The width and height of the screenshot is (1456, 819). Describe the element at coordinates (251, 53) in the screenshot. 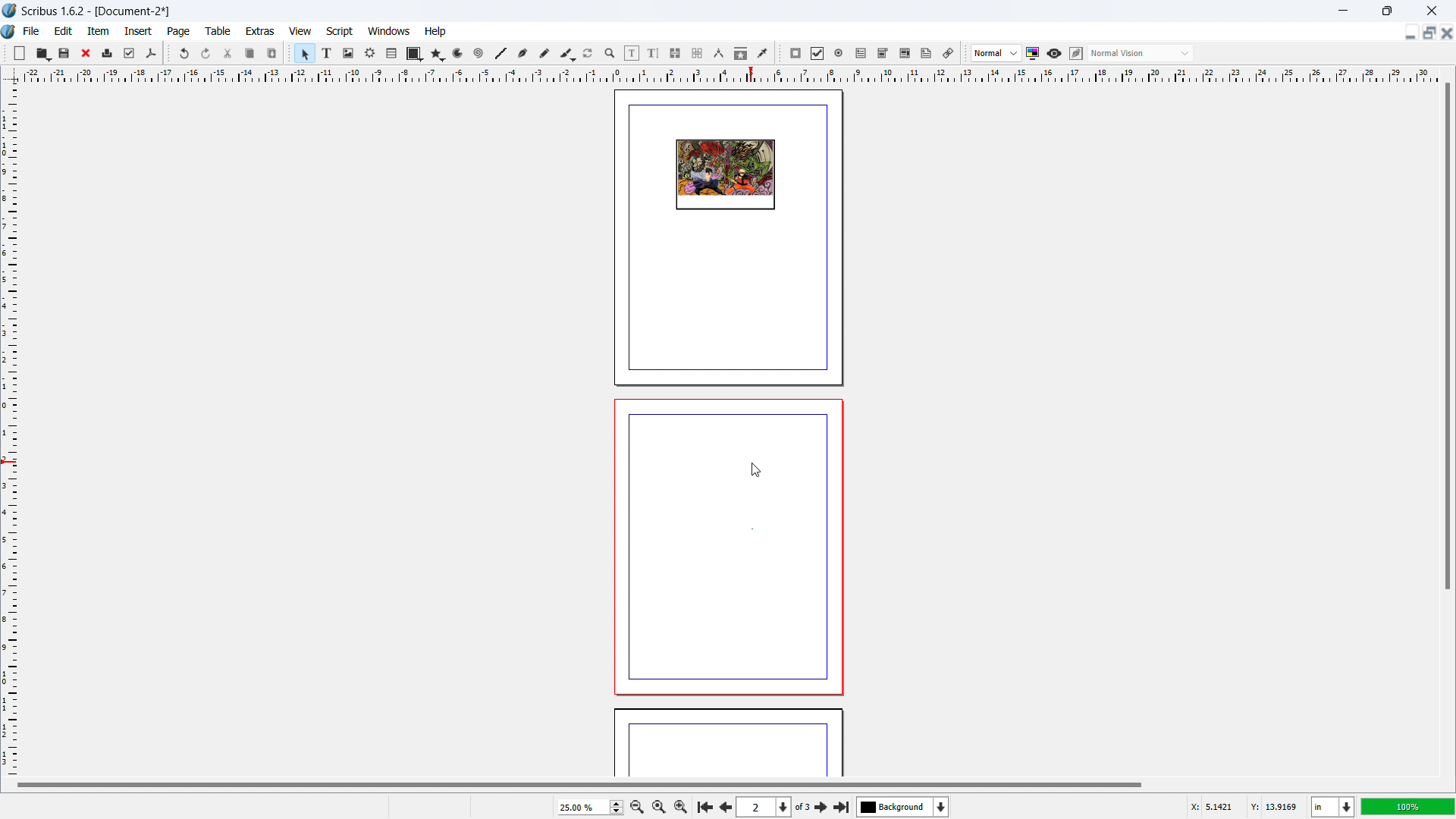

I see `copy` at that location.